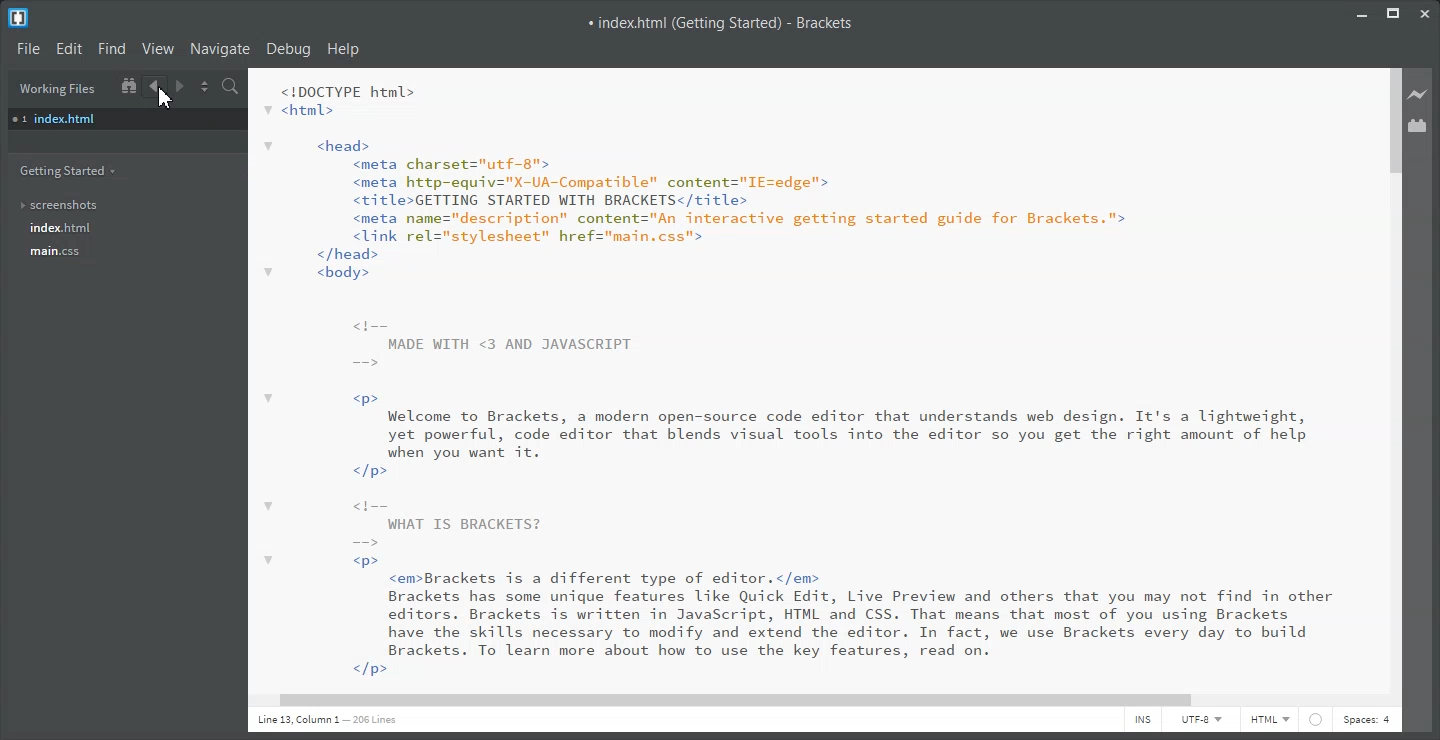 The image size is (1440, 740). I want to click on Extension Manager, so click(1420, 126).